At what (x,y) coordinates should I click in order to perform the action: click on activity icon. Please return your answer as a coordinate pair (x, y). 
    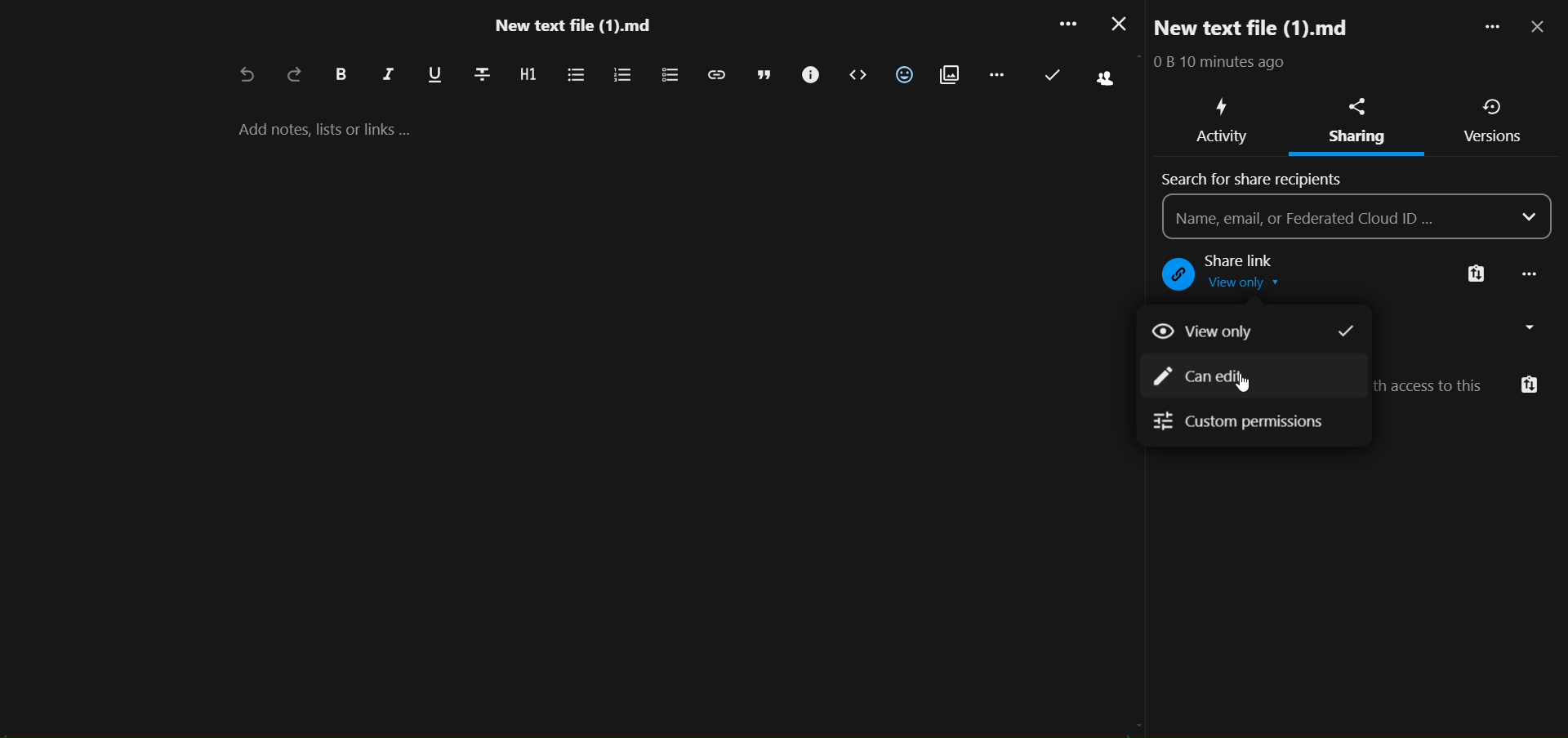
    Looking at the image, I should click on (1225, 106).